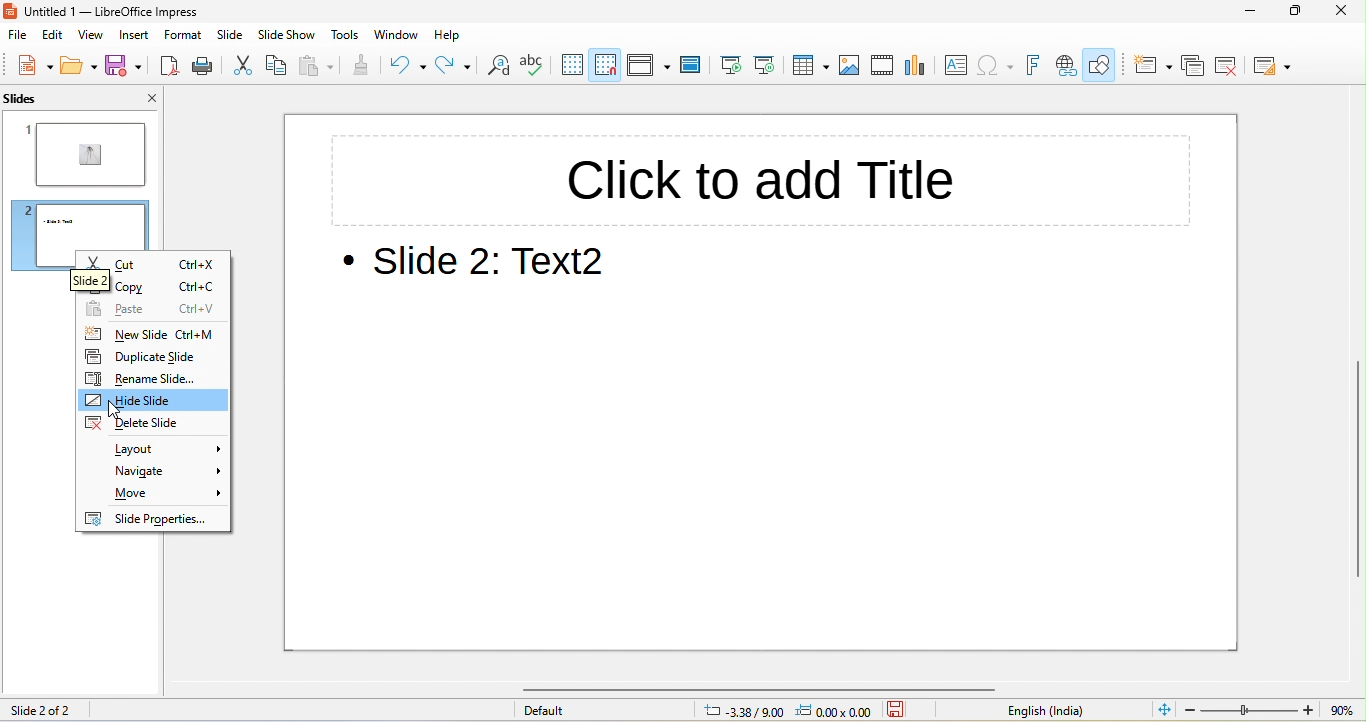 The width and height of the screenshot is (1366, 722). What do you see at coordinates (86, 153) in the screenshot?
I see `slide 1` at bounding box center [86, 153].